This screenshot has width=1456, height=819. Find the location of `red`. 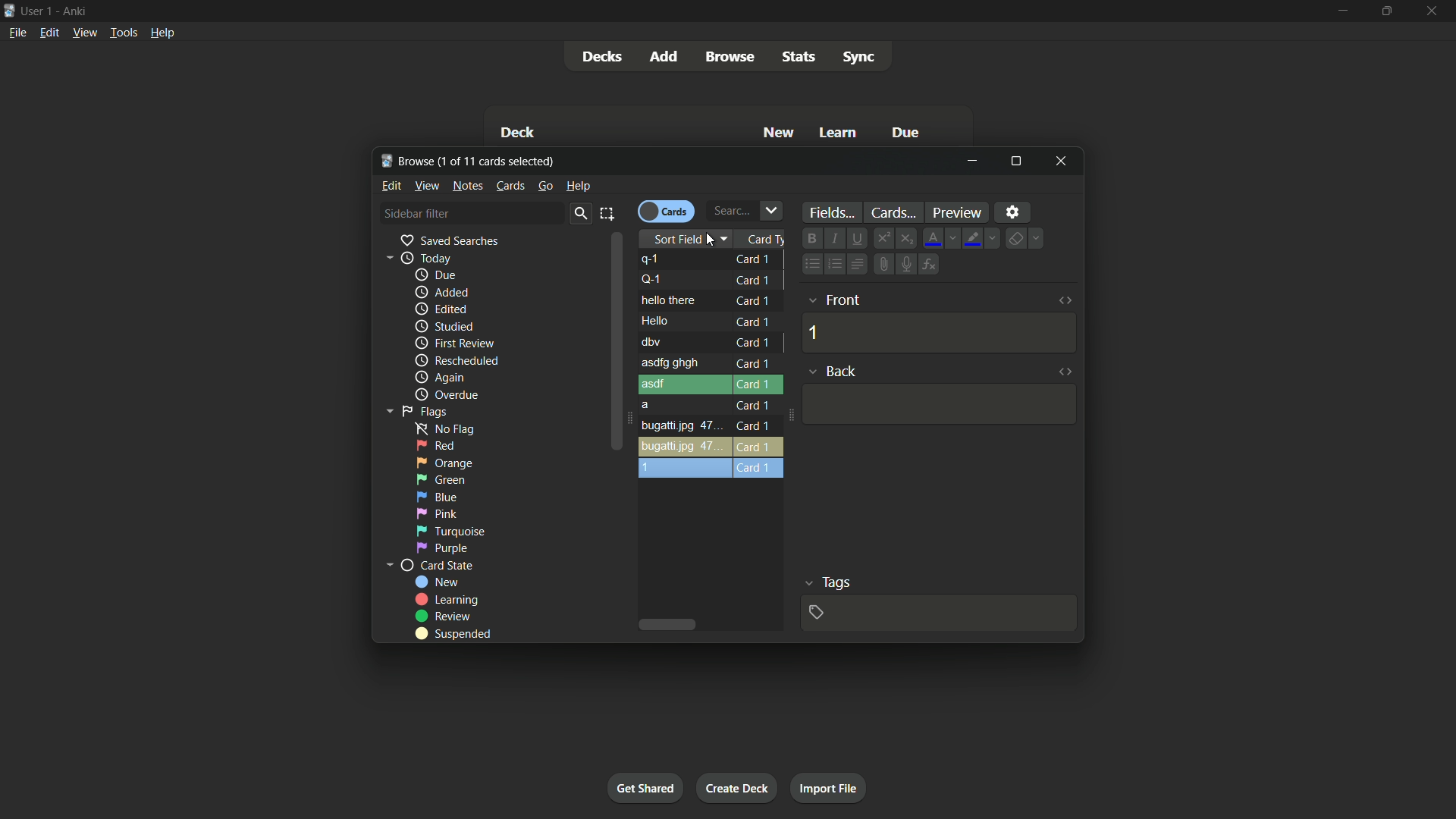

red is located at coordinates (436, 446).